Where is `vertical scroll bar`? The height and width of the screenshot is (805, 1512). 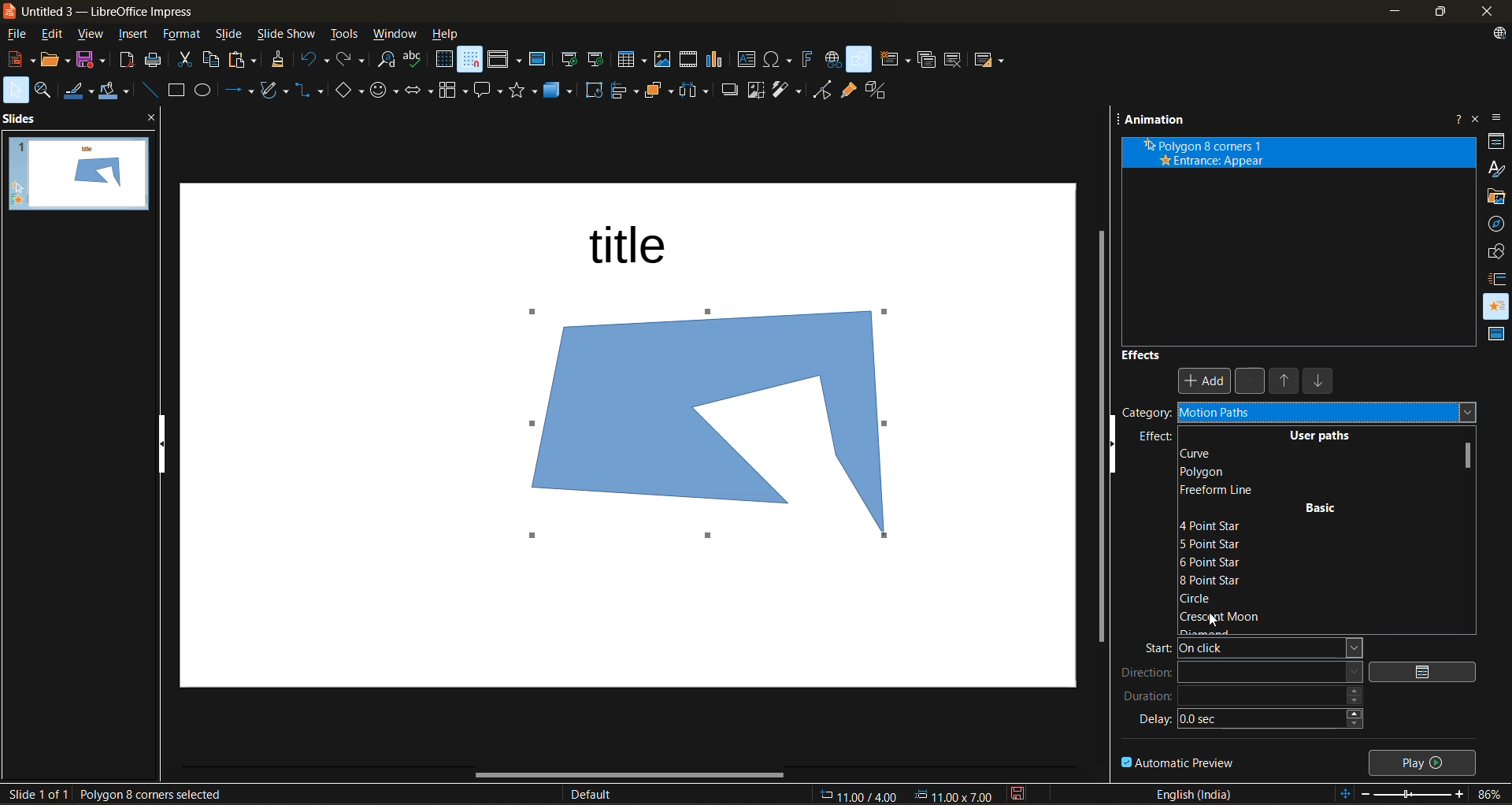 vertical scroll bar is located at coordinates (1469, 458).